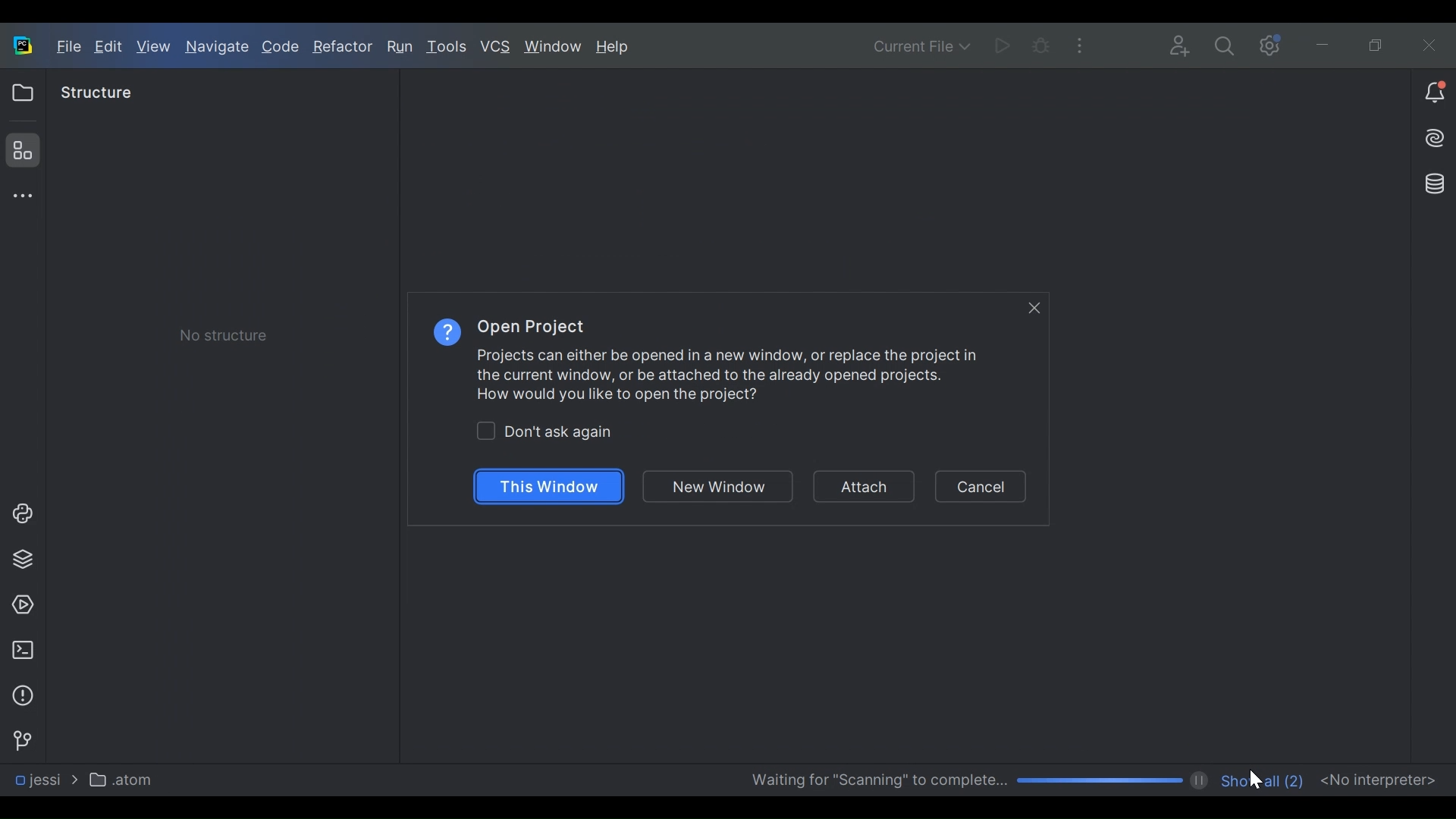  I want to click on More, so click(1081, 46).